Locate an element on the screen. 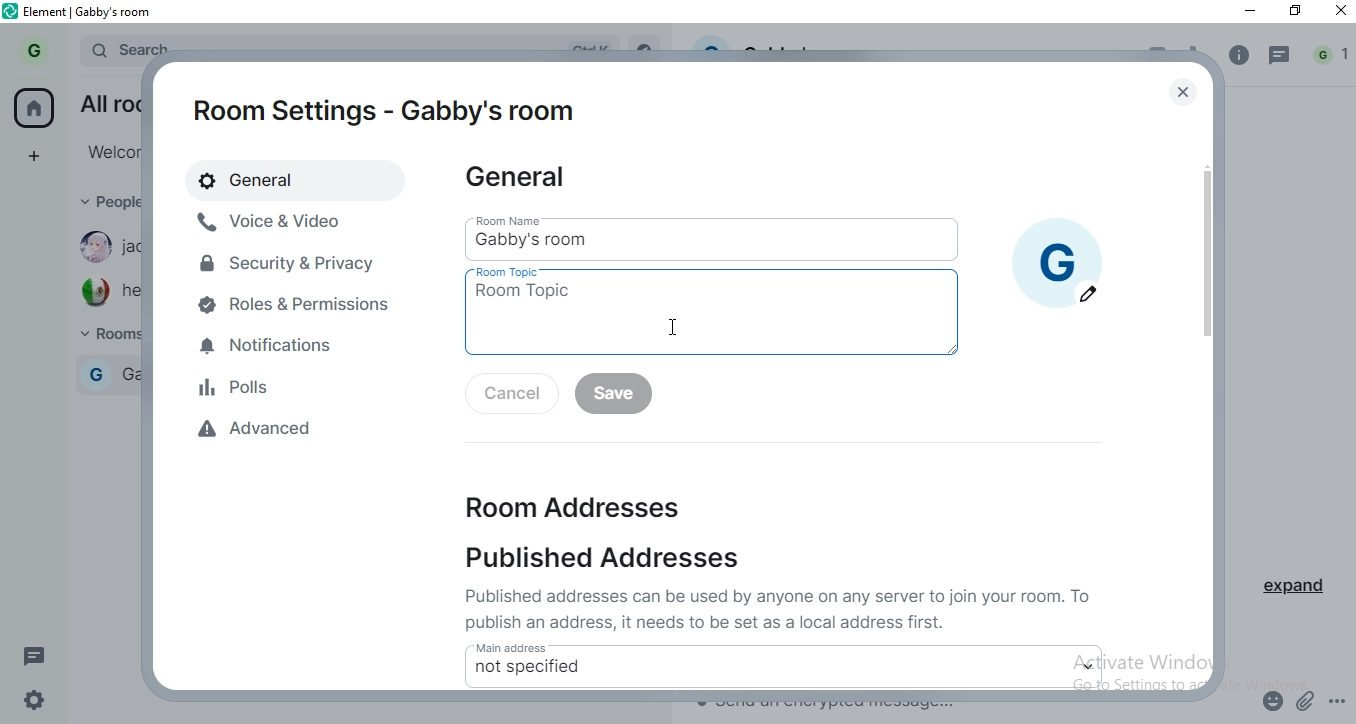 The height and width of the screenshot is (724, 1356). polls is located at coordinates (300, 385).